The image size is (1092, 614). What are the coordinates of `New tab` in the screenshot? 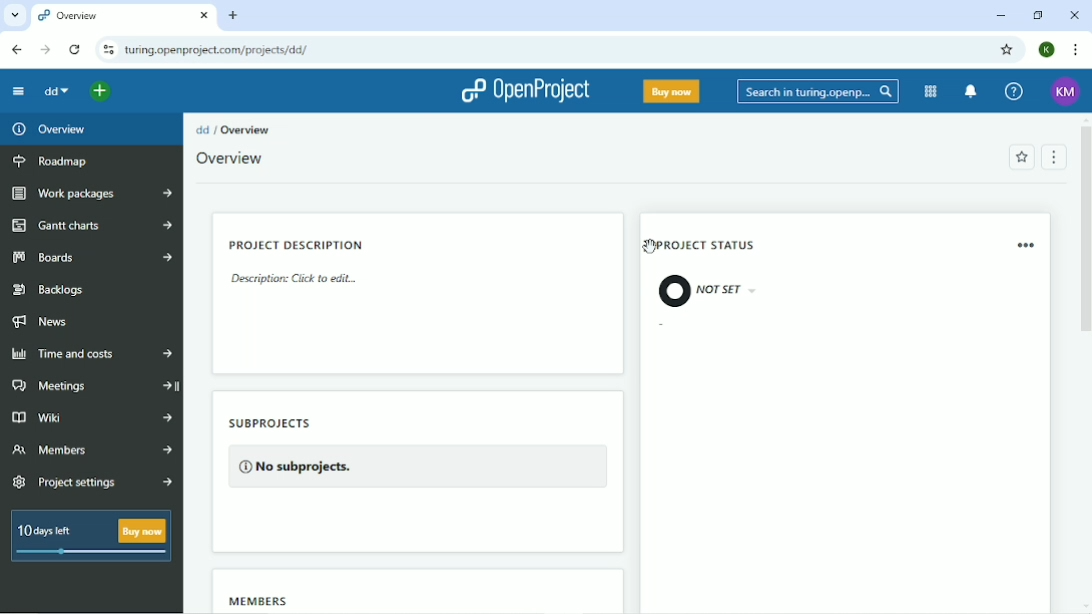 It's located at (233, 15).